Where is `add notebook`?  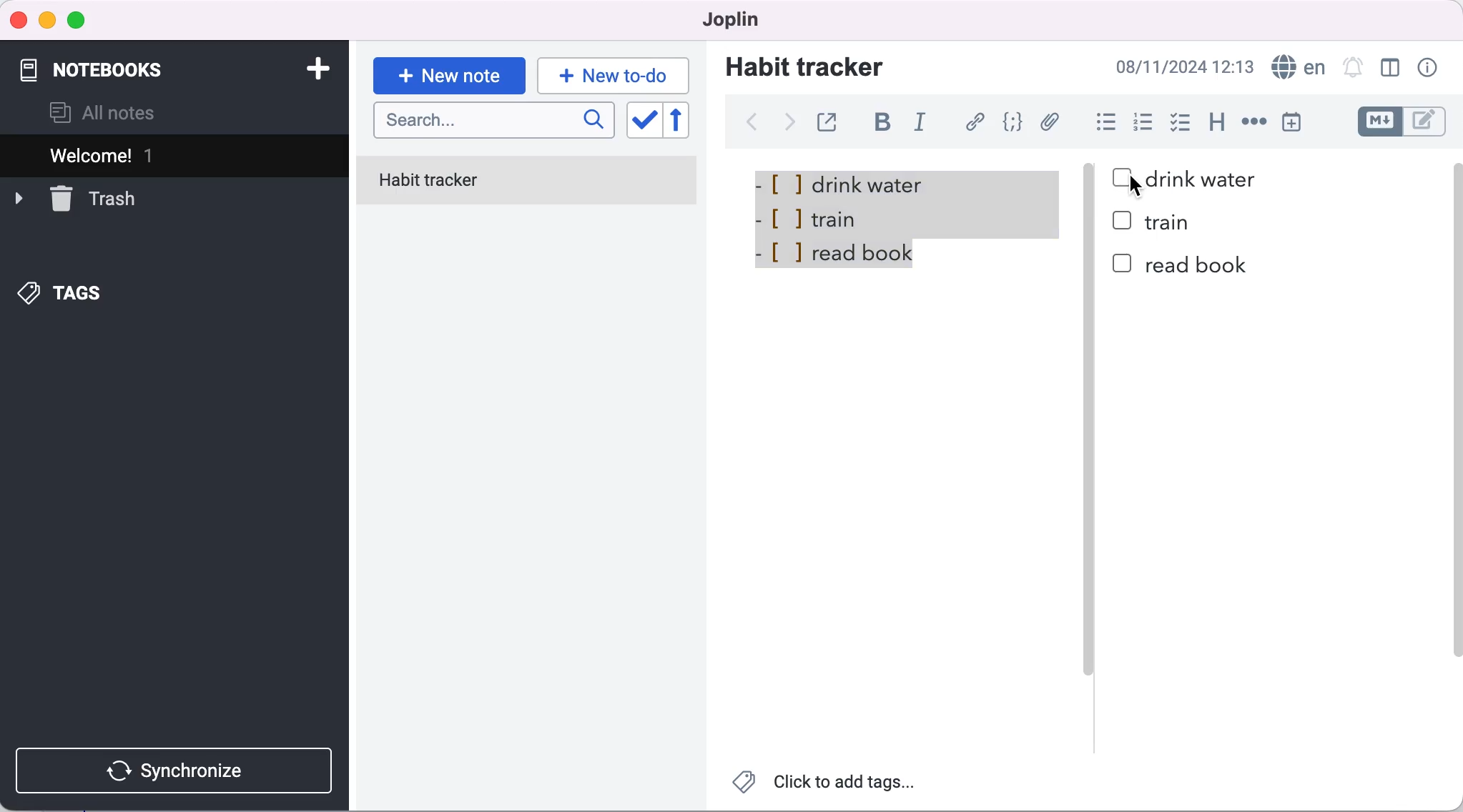
add notebook is located at coordinates (315, 67).